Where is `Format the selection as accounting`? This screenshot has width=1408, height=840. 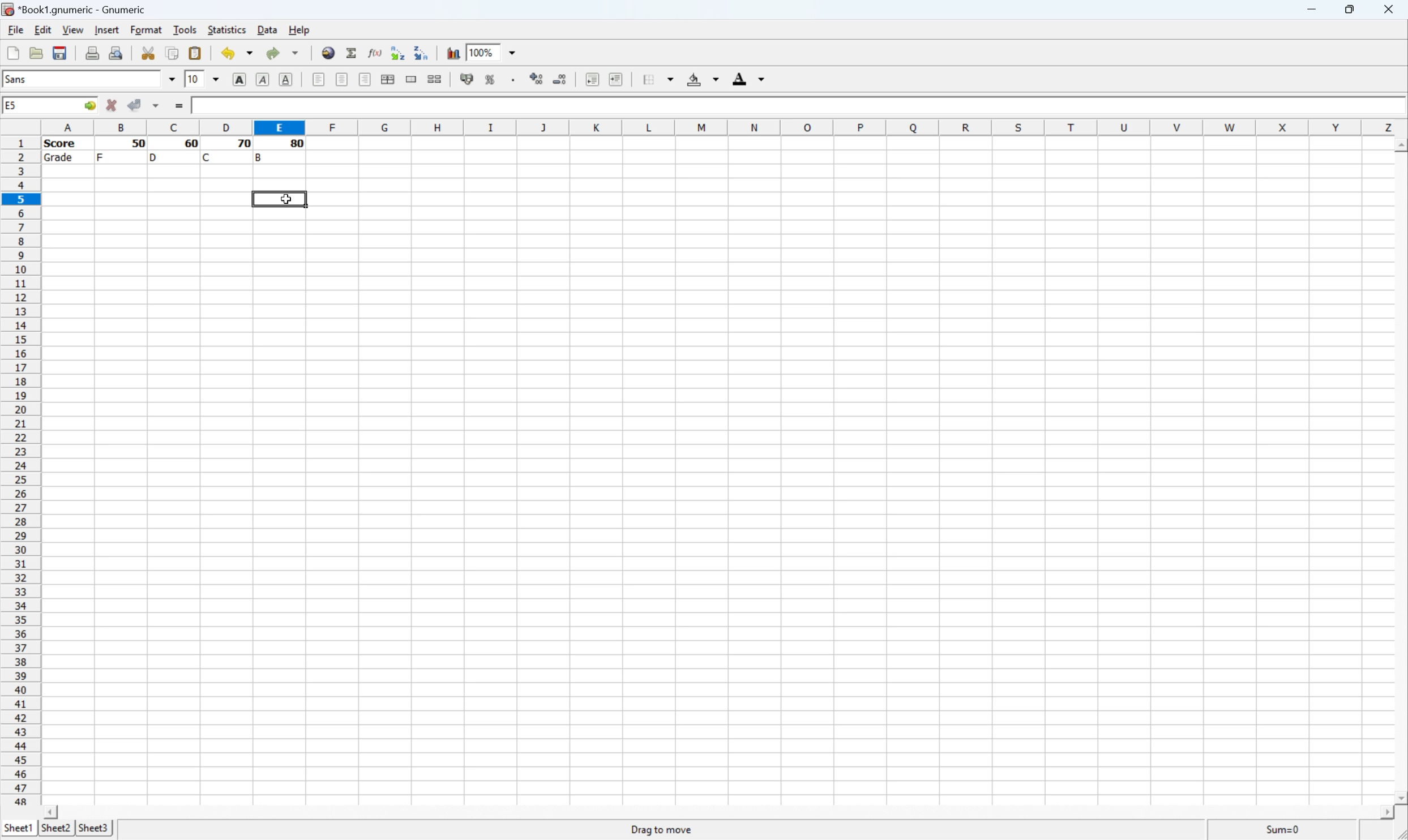 Format the selection as accounting is located at coordinates (462, 81).